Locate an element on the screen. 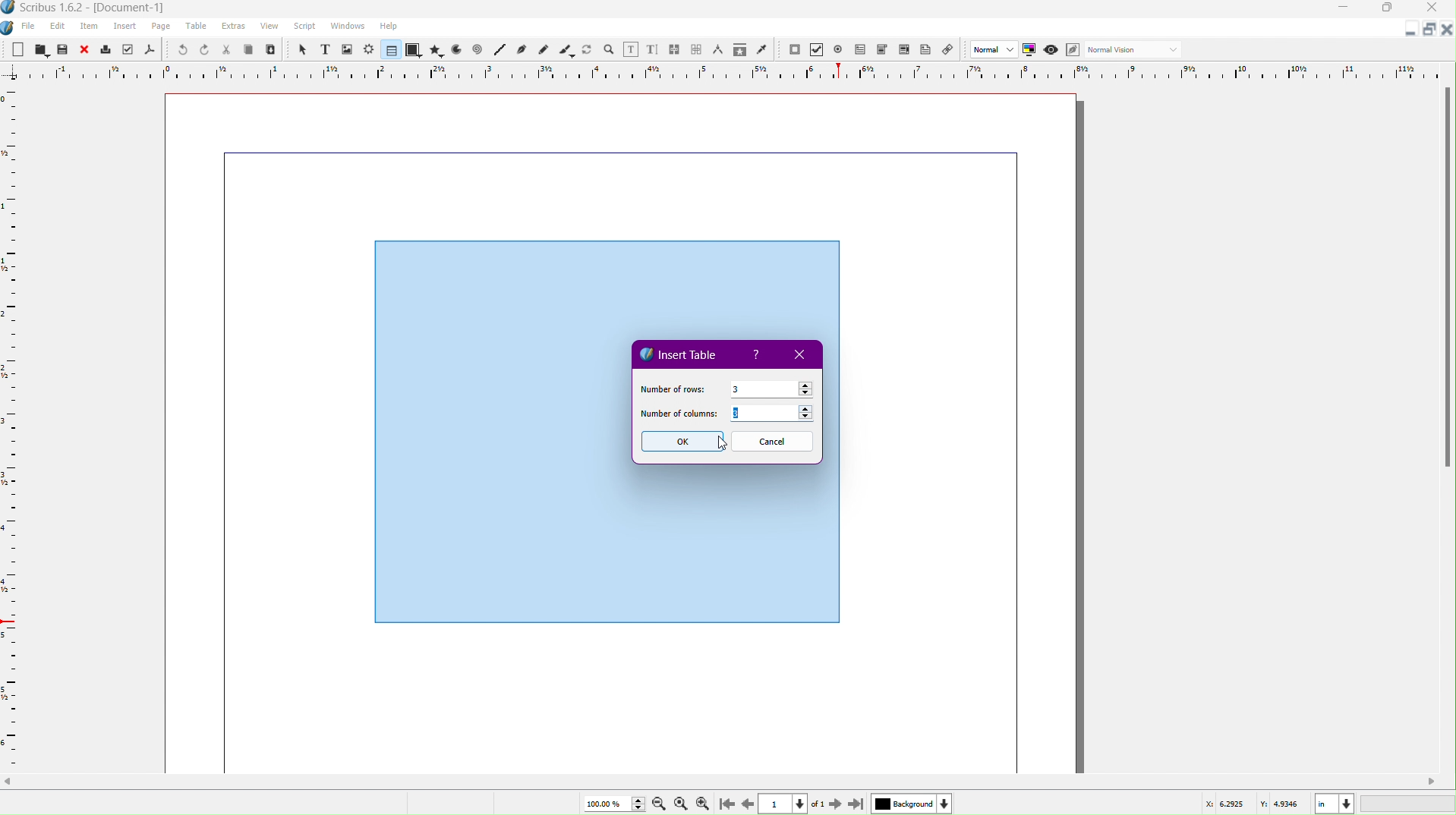  Window Name is located at coordinates (92, 8).